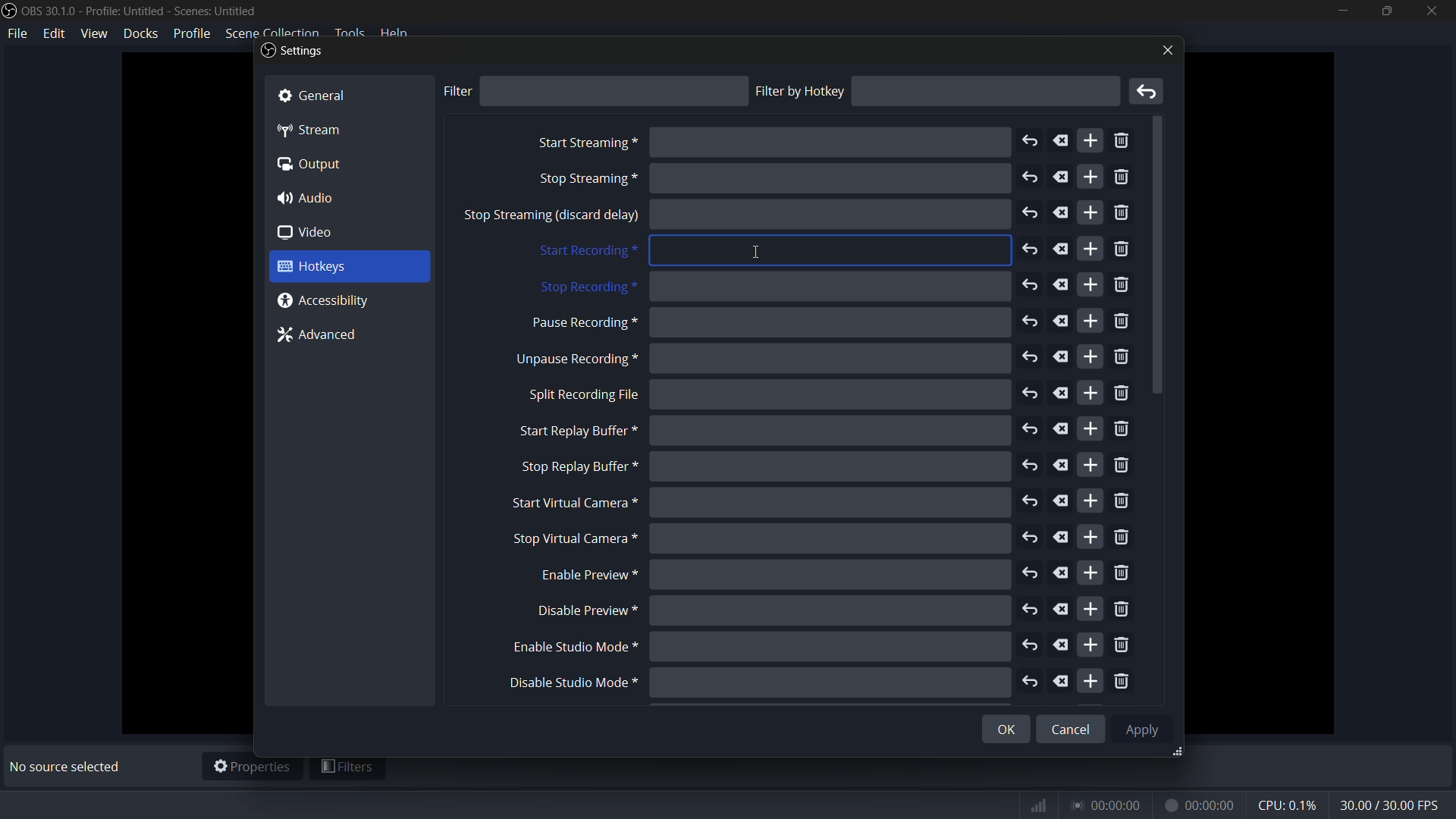 Image resolution: width=1456 pixels, height=819 pixels. What do you see at coordinates (1061, 177) in the screenshot?
I see `` at bounding box center [1061, 177].